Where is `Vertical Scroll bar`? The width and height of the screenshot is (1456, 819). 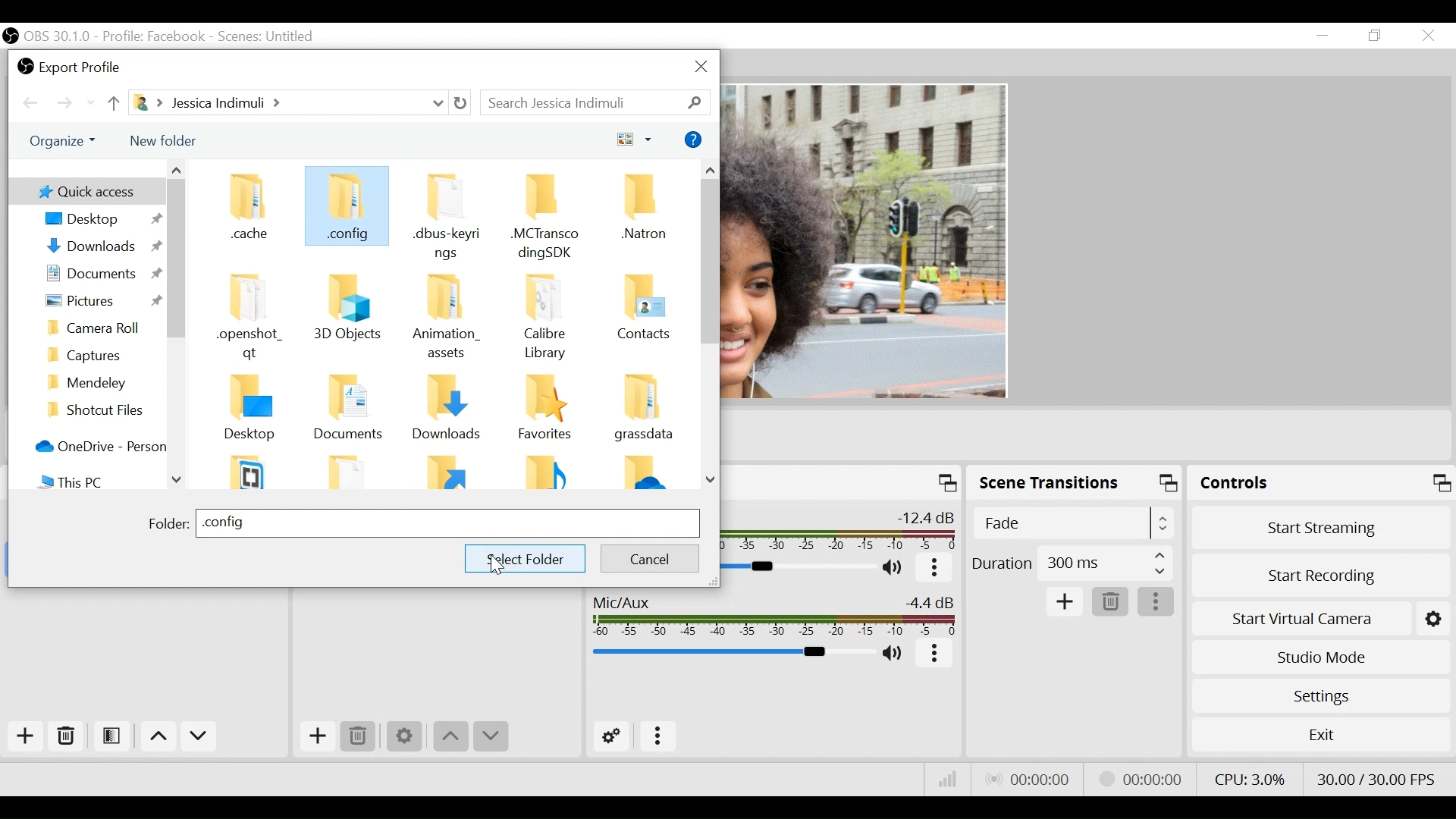
Vertical Scroll bar is located at coordinates (176, 259).